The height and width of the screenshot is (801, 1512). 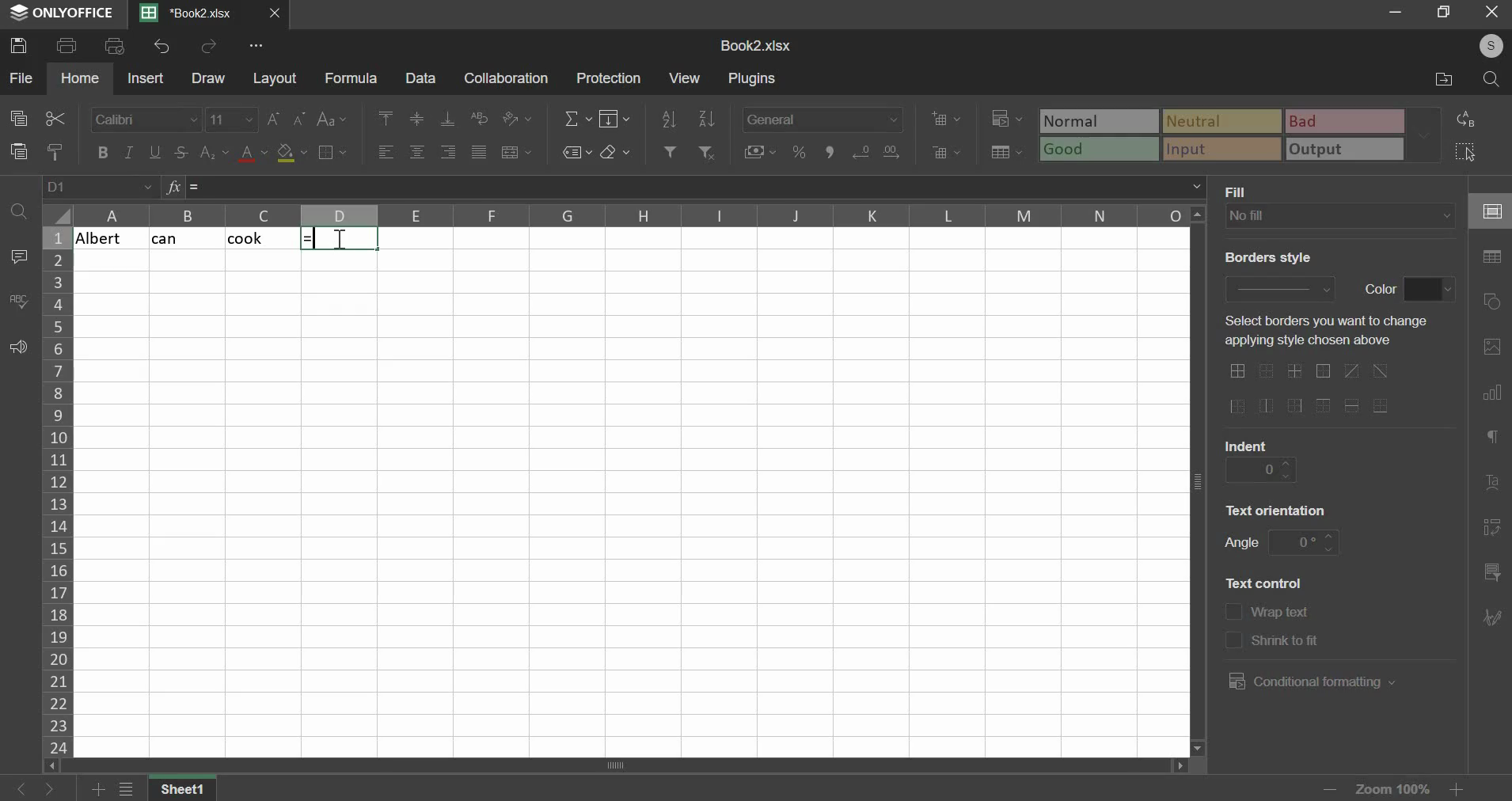 What do you see at coordinates (161, 46) in the screenshot?
I see `undo` at bounding box center [161, 46].